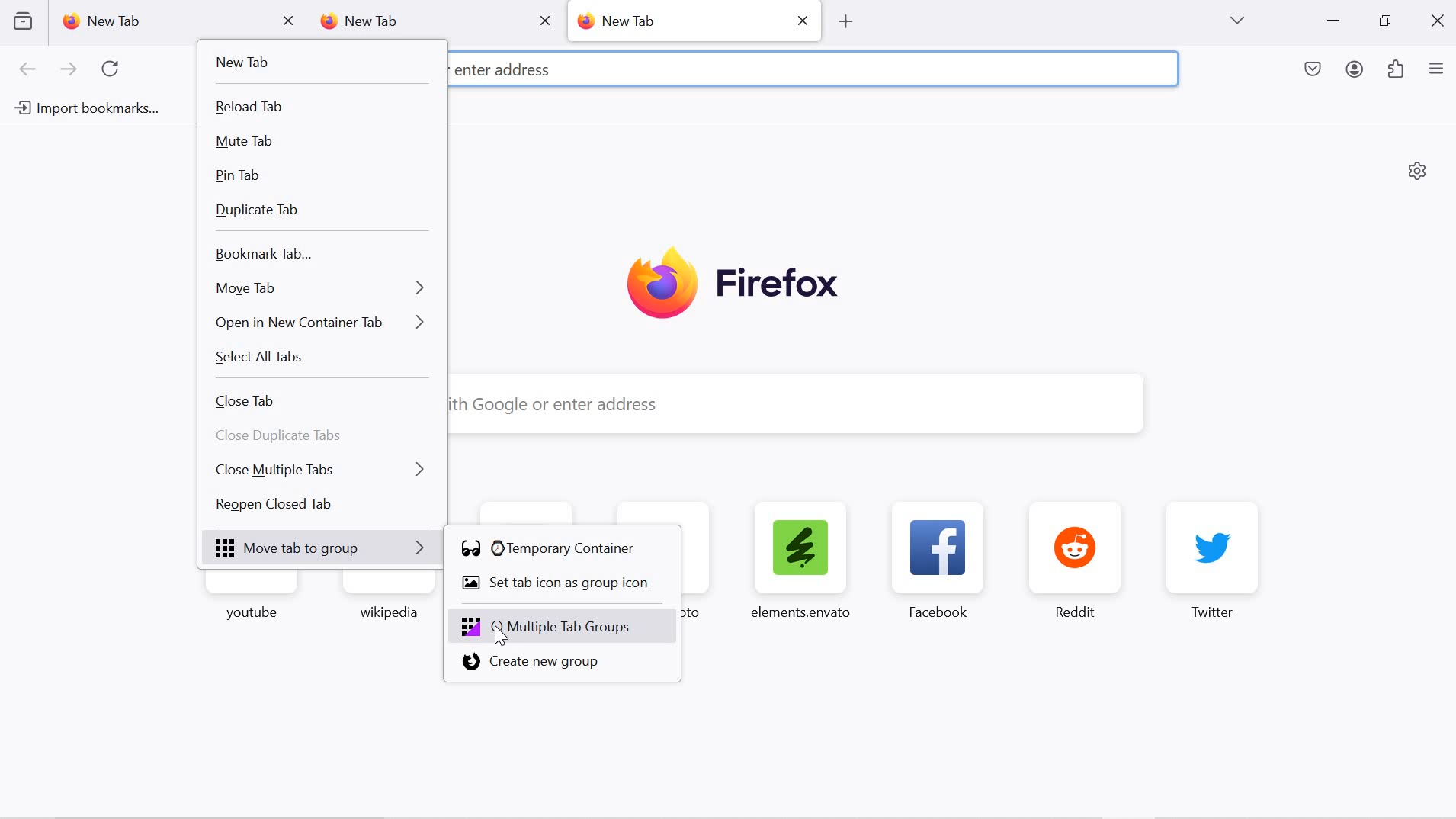 The height and width of the screenshot is (819, 1456). Describe the element at coordinates (566, 625) in the screenshot. I see `multiple tab groups` at that location.